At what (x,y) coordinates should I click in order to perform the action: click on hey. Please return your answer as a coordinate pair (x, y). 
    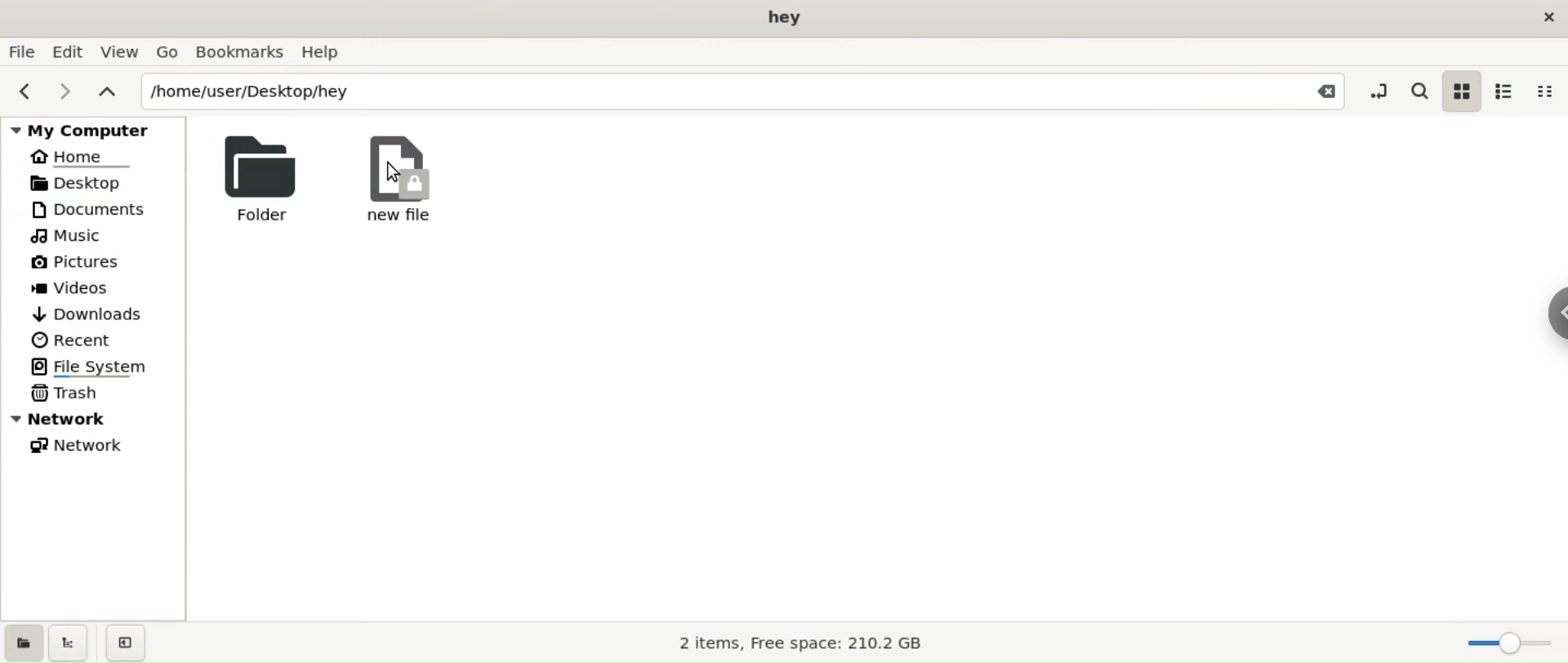
    Looking at the image, I should click on (785, 18).